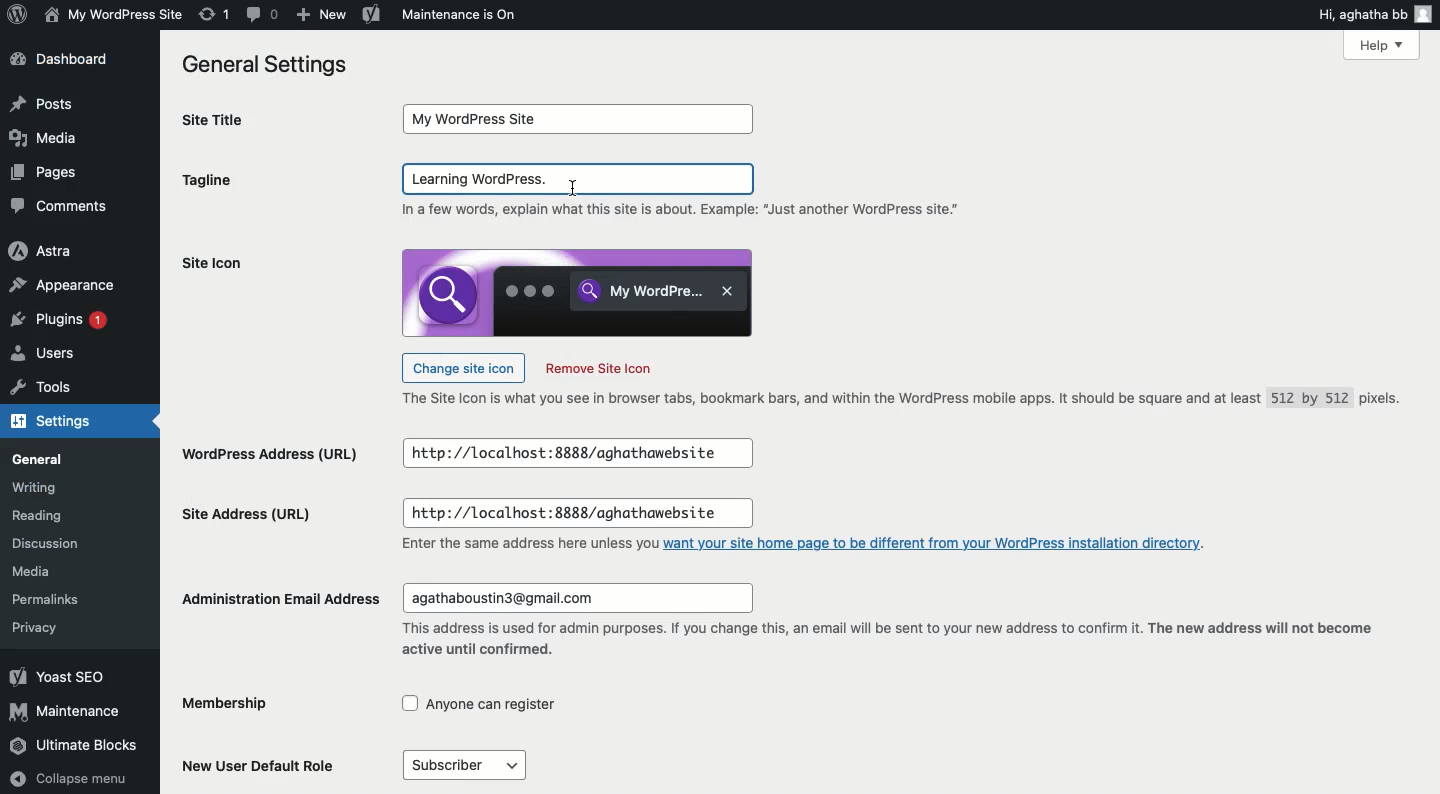 Image resolution: width=1440 pixels, height=794 pixels. Describe the element at coordinates (463, 366) in the screenshot. I see `Change` at that location.